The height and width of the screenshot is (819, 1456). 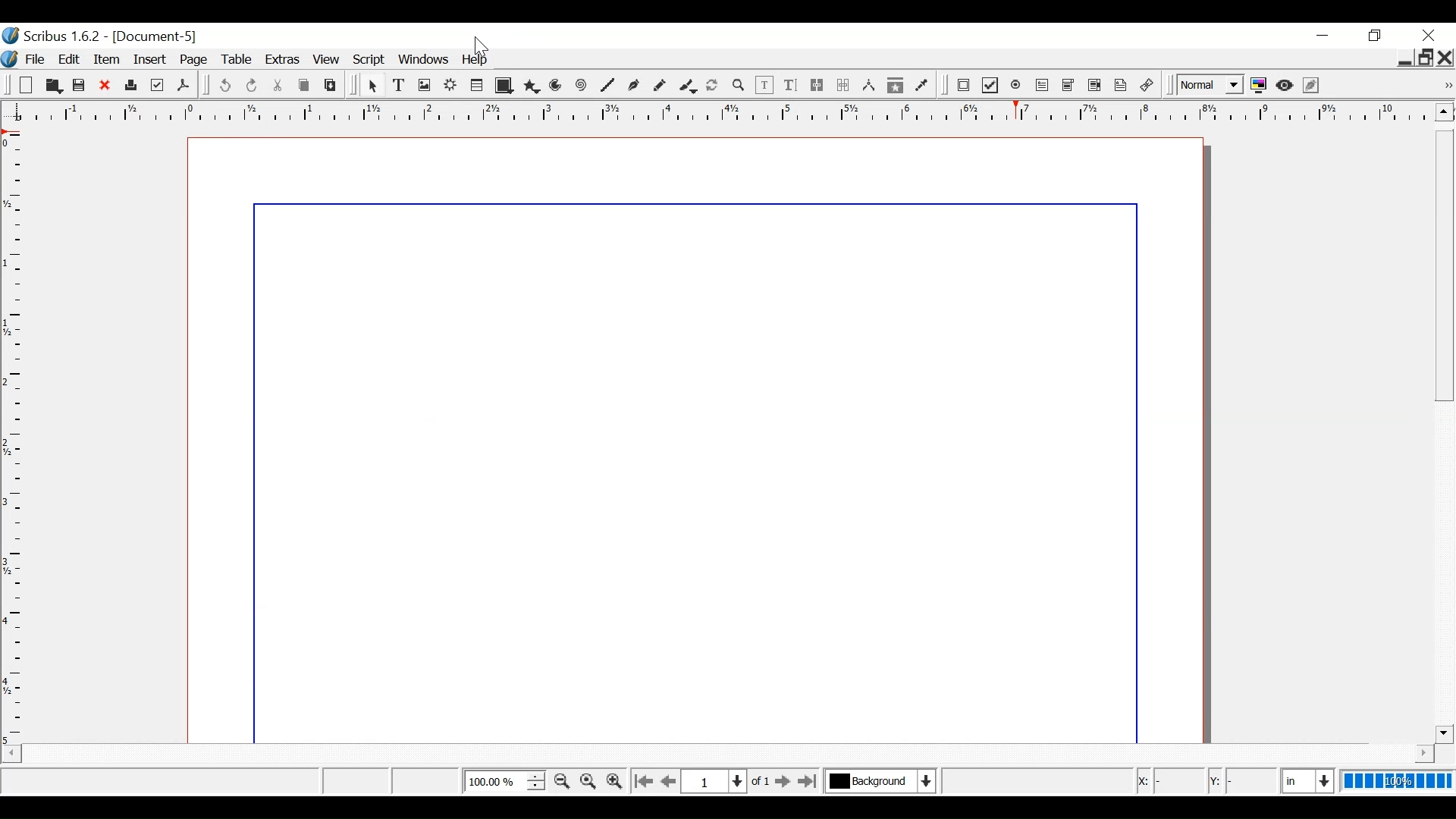 What do you see at coordinates (156, 37) in the screenshot?
I see `Document name` at bounding box center [156, 37].